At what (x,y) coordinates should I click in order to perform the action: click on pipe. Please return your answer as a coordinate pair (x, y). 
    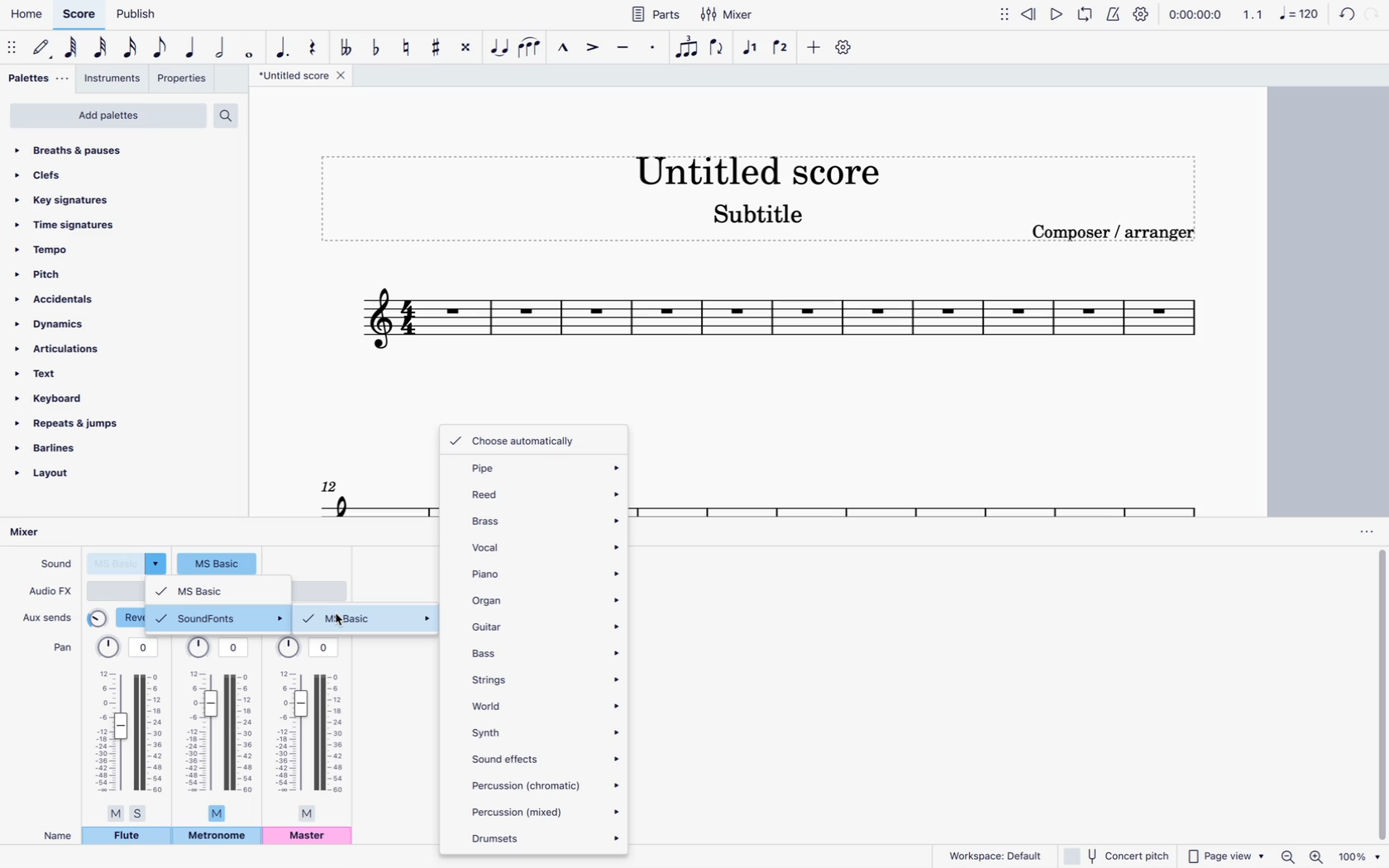
    Looking at the image, I should click on (539, 468).